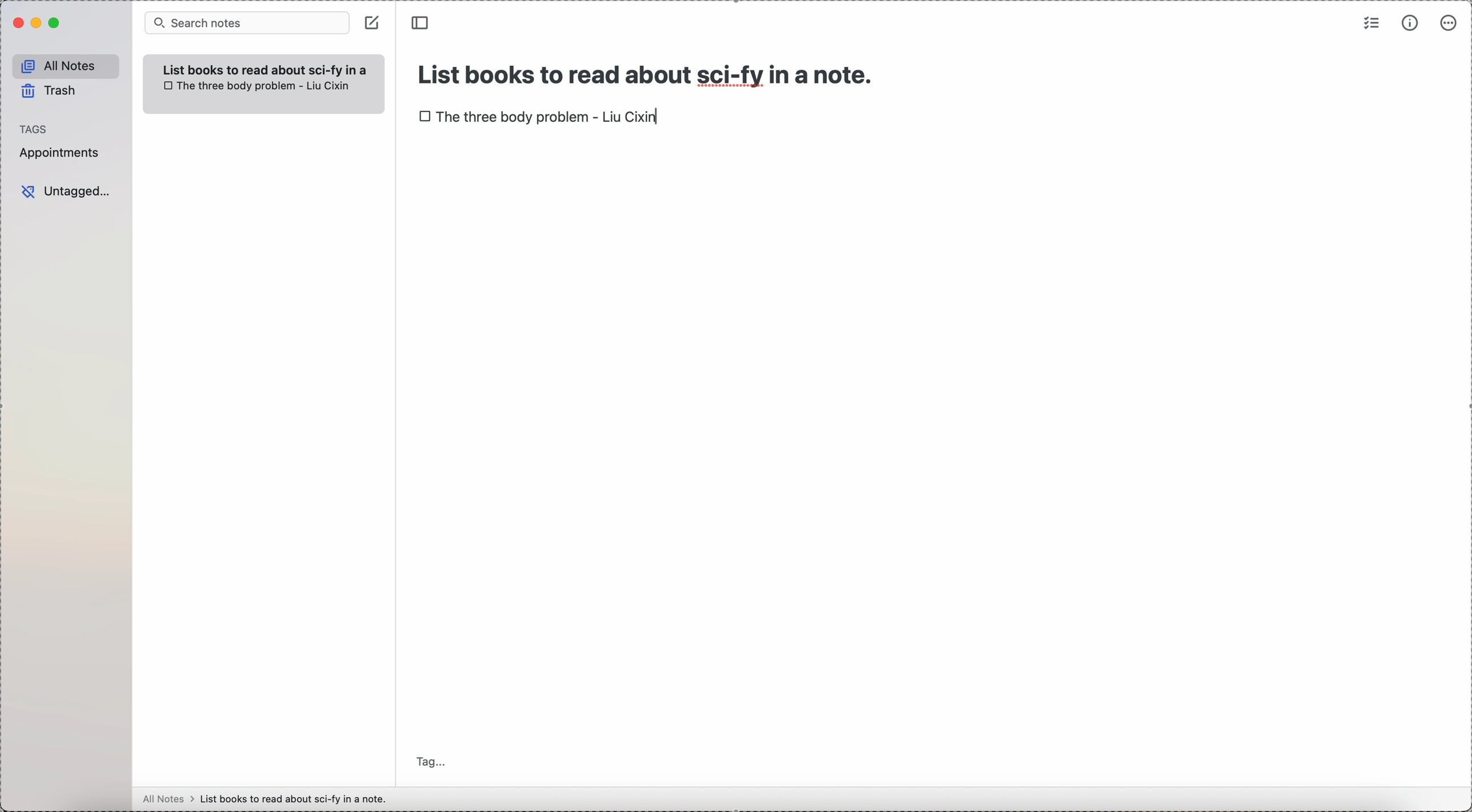 This screenshot has width=1472, height=812. I want to click on trash, so click(50, 91).